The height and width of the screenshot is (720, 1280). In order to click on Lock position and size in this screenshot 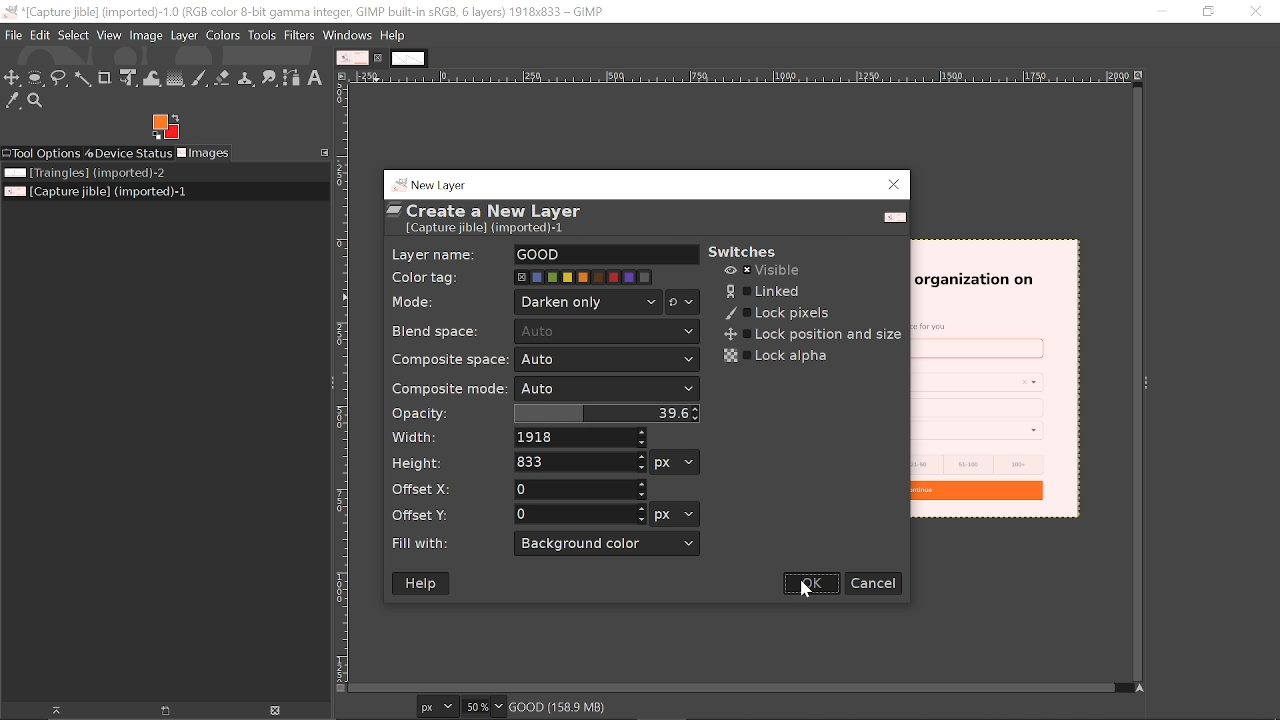, I will do `click(809, 335)`.